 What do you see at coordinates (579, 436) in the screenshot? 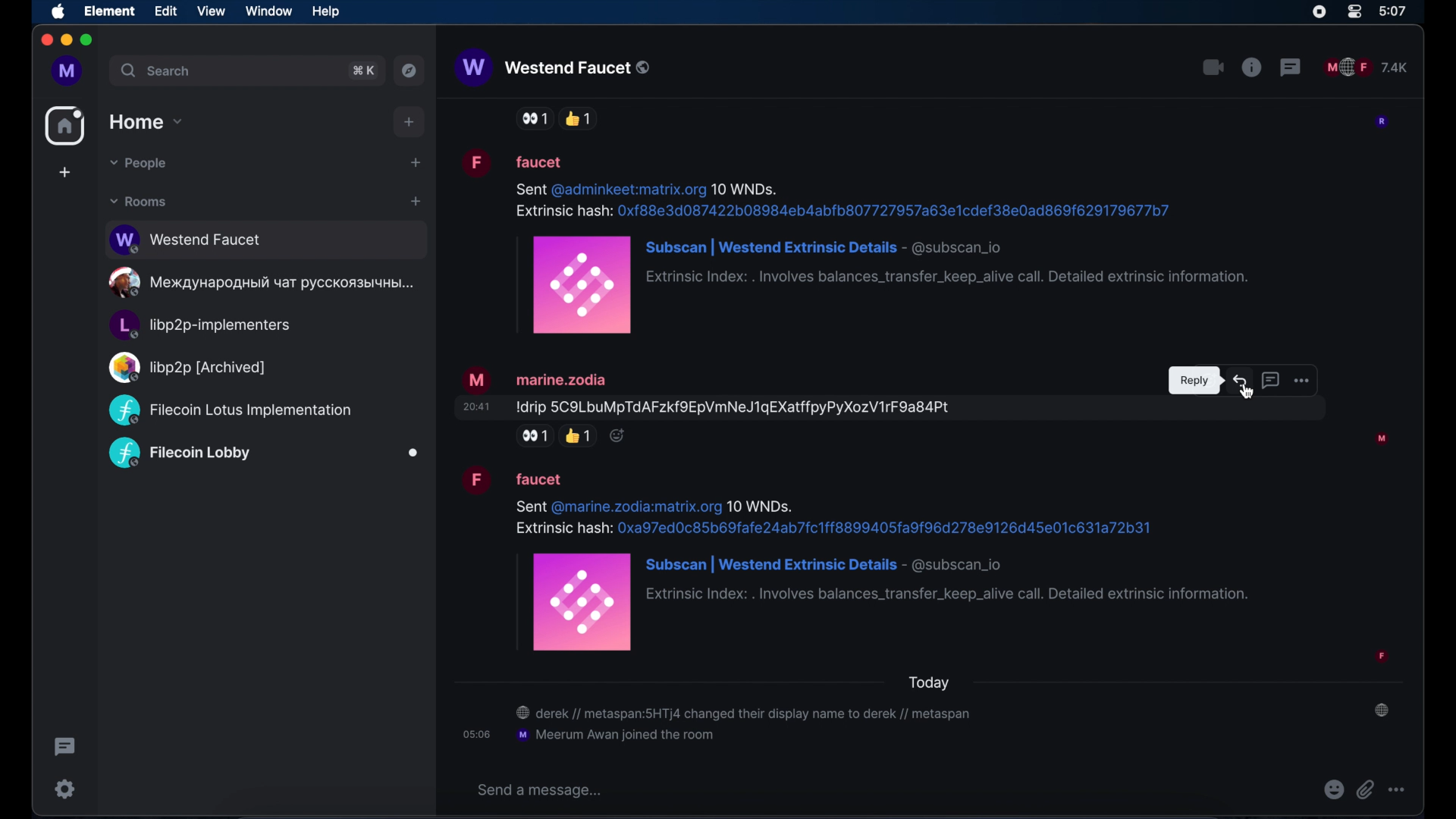
I see `thumbs up reaction` at bounding box center [579, 436].